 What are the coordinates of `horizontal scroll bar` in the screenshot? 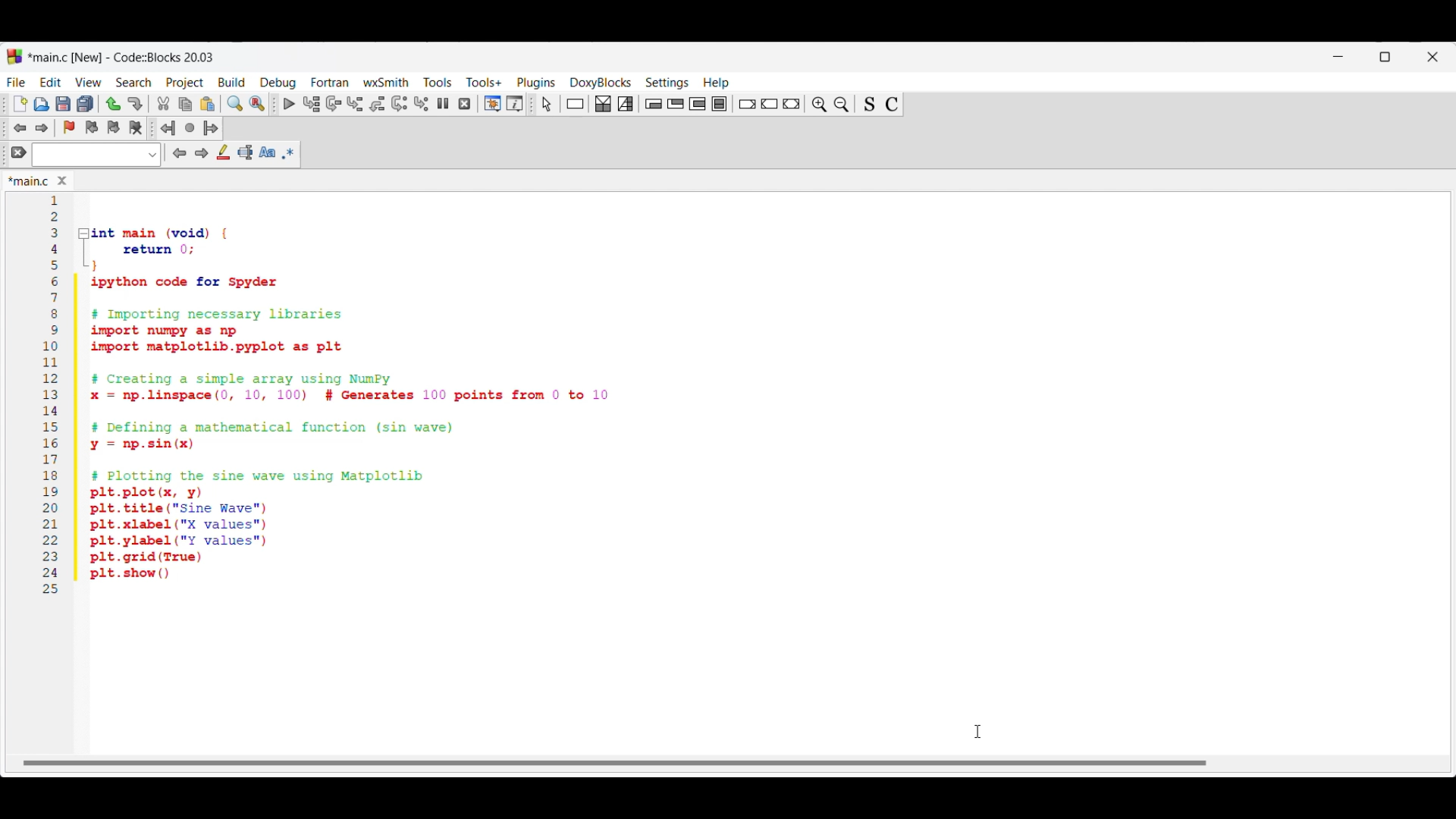 It's located at (623, 759).